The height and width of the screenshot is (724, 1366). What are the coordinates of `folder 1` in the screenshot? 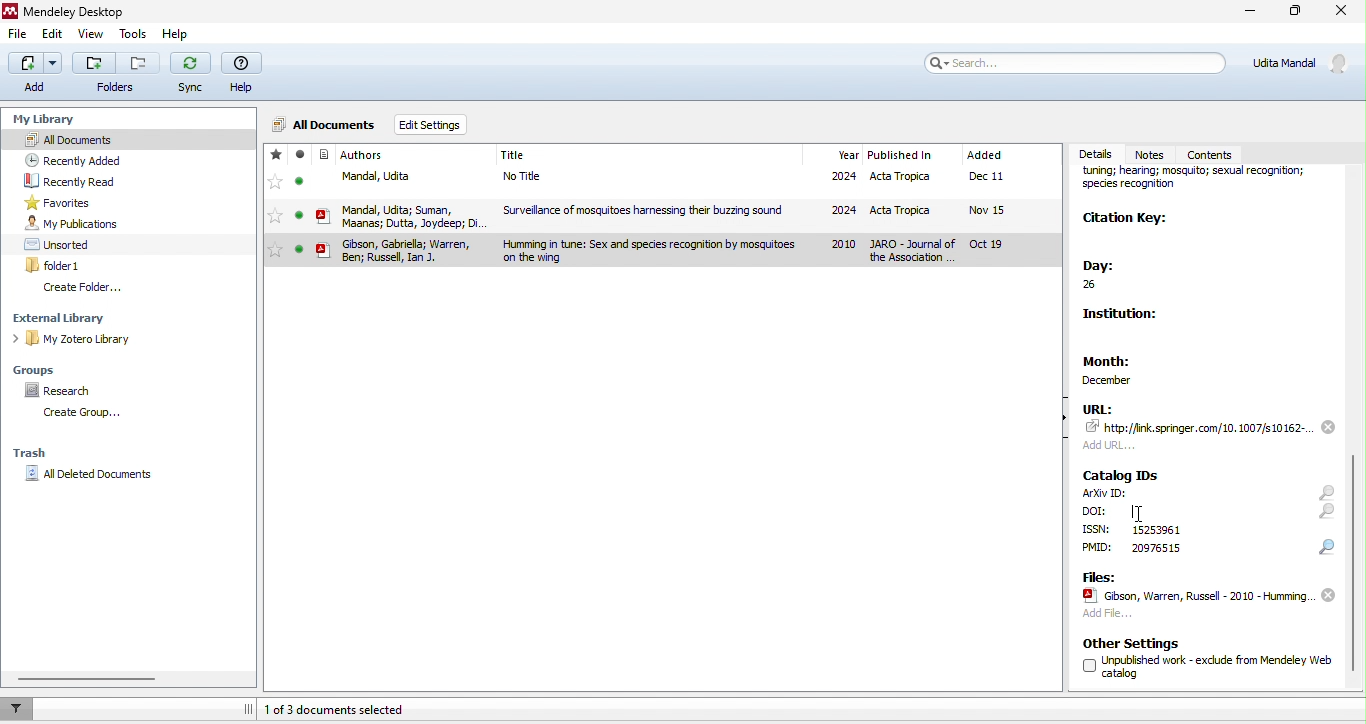 It's located at (56, 265).